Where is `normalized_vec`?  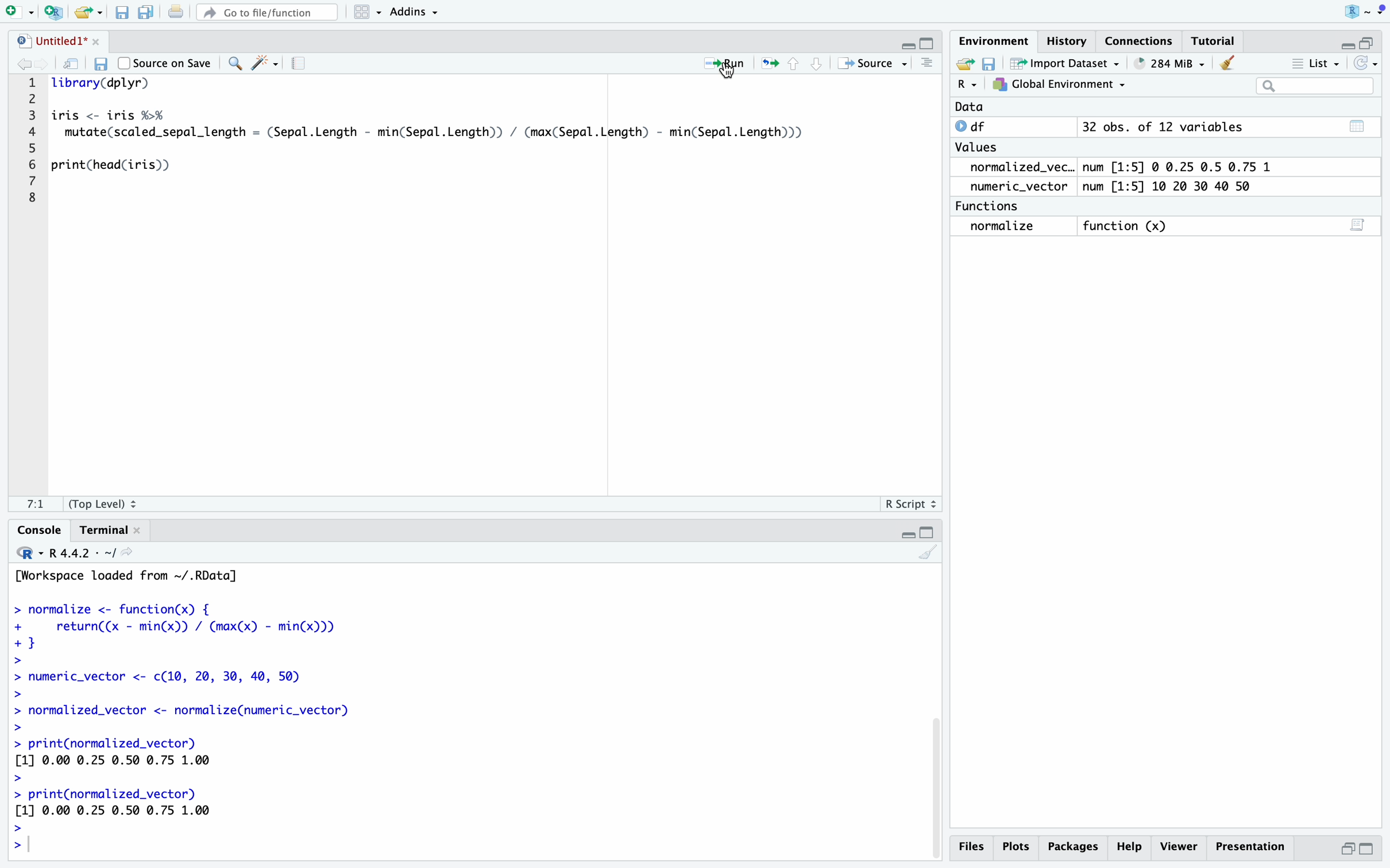
normalized_vec is located at coordinates (1013, 168).